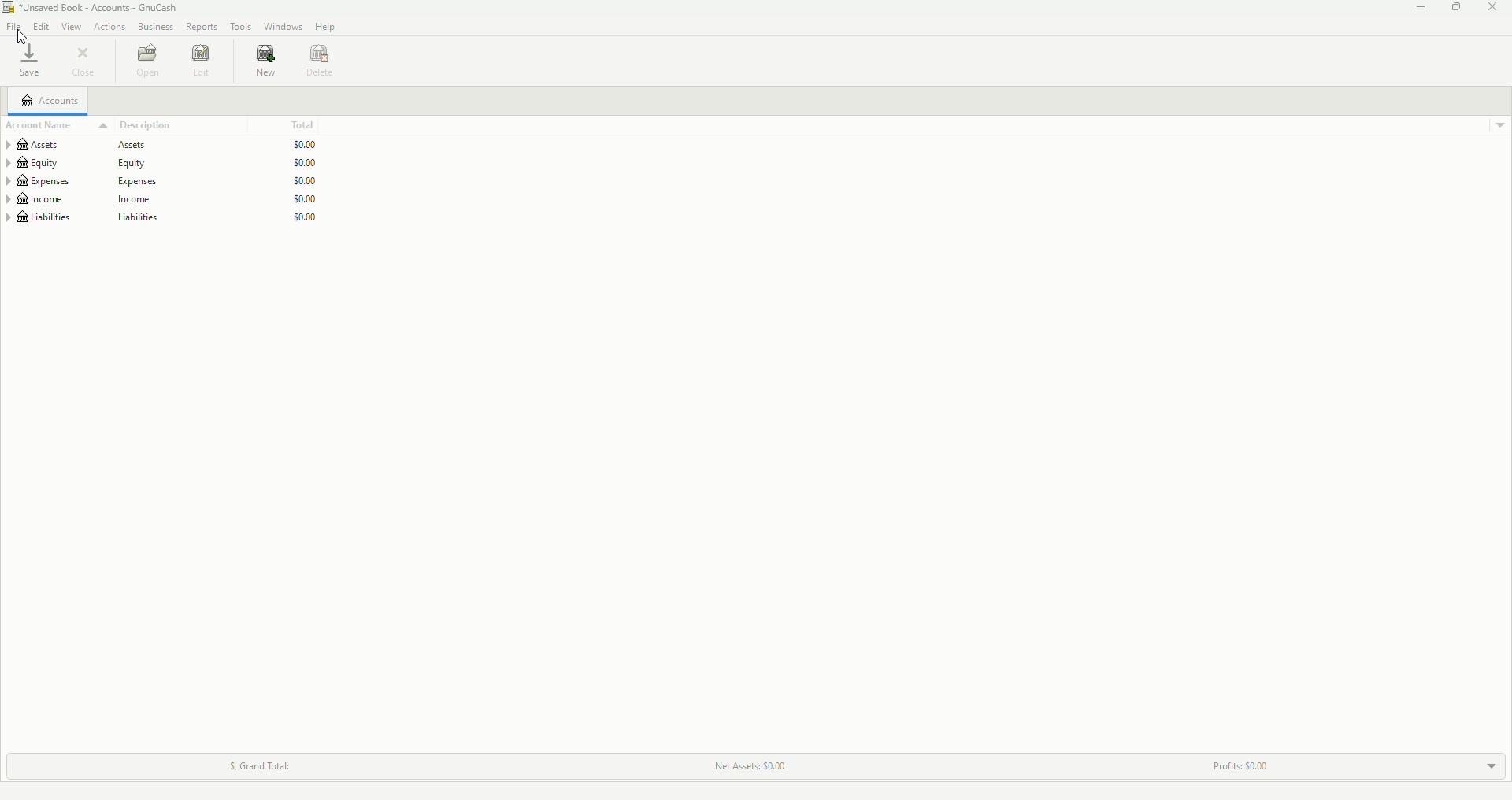 Image resolution: width=1512 pixels, height=800 pixels. What do you see at coordinates (239, 27) in the screenshot?
I see `Tools` at bounding box center [239, 27].